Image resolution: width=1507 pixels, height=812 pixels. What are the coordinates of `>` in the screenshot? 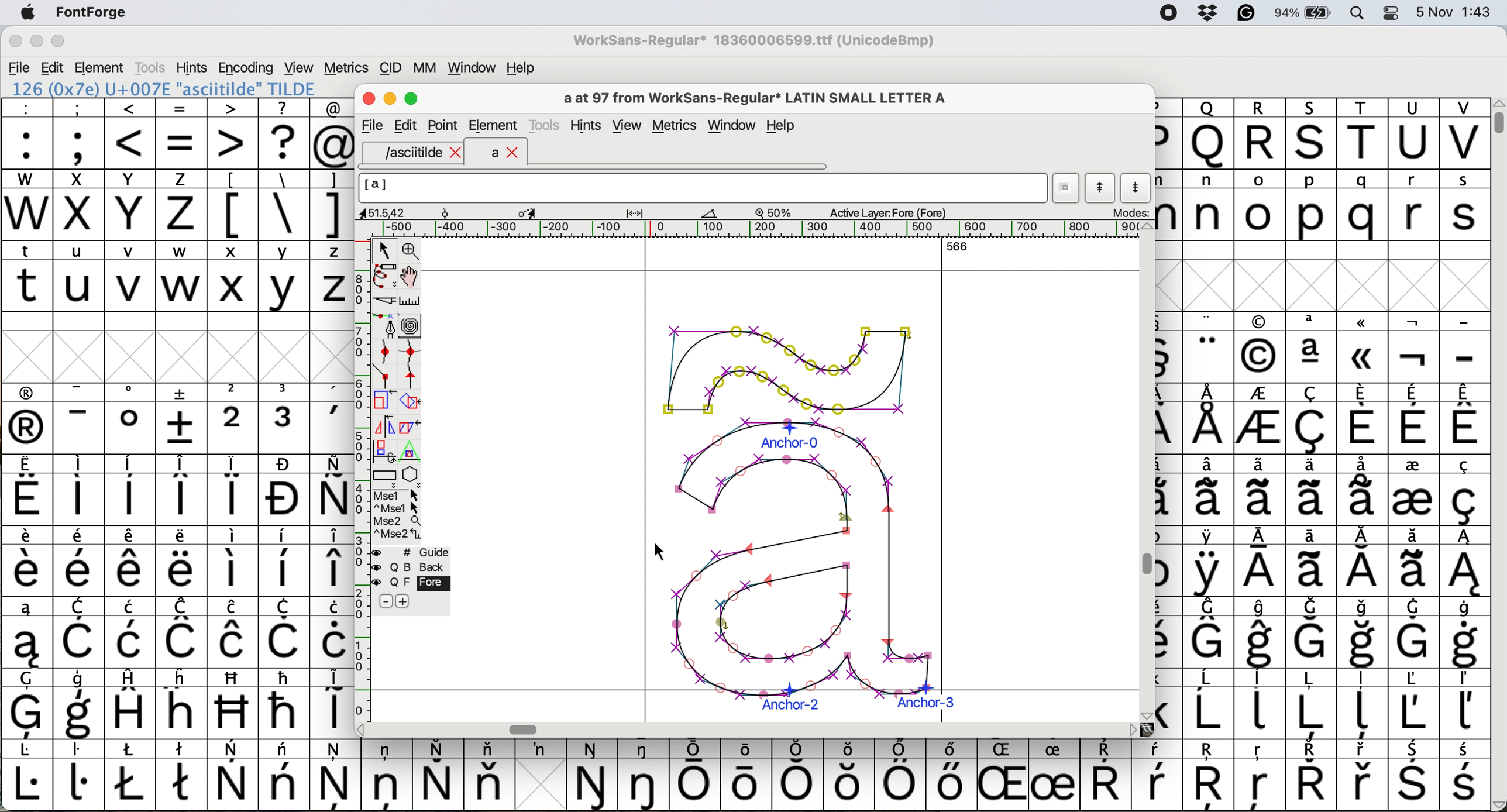 It's located at (233, 133).